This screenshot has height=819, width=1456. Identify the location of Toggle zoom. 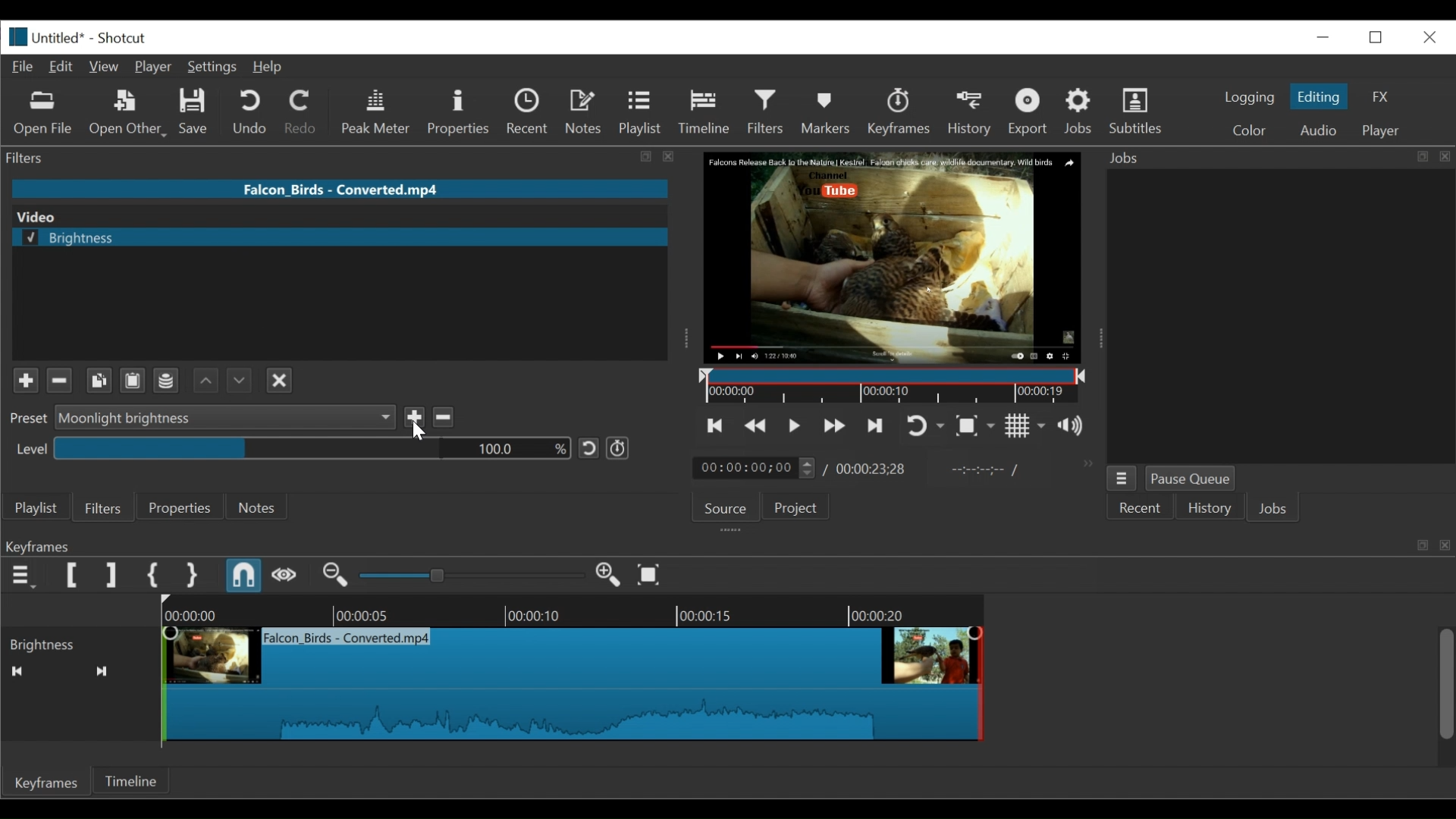
(977, 426).